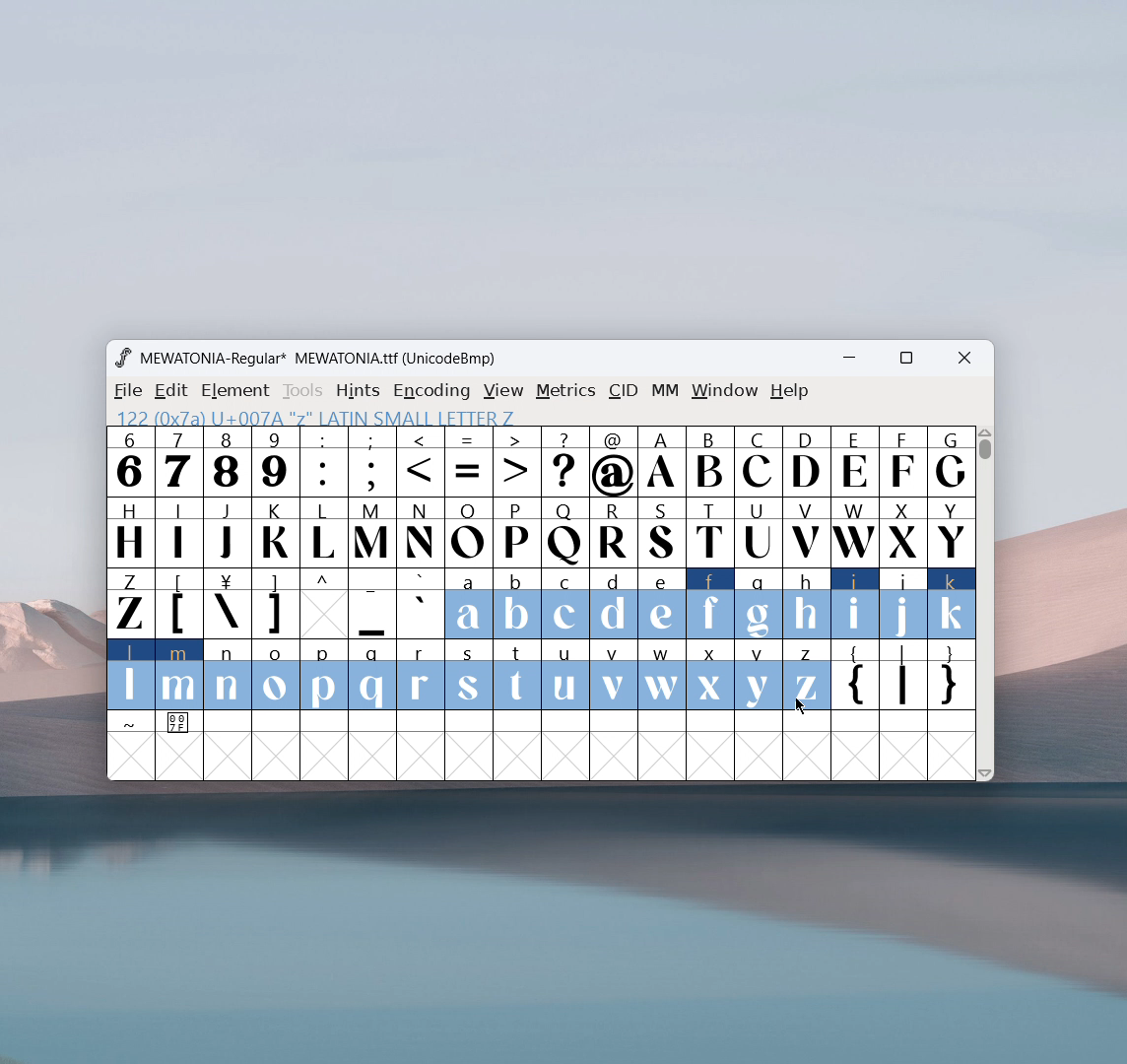  Describe the element at coordinates (131, 674) in the screenshot. I see `l` at that location.